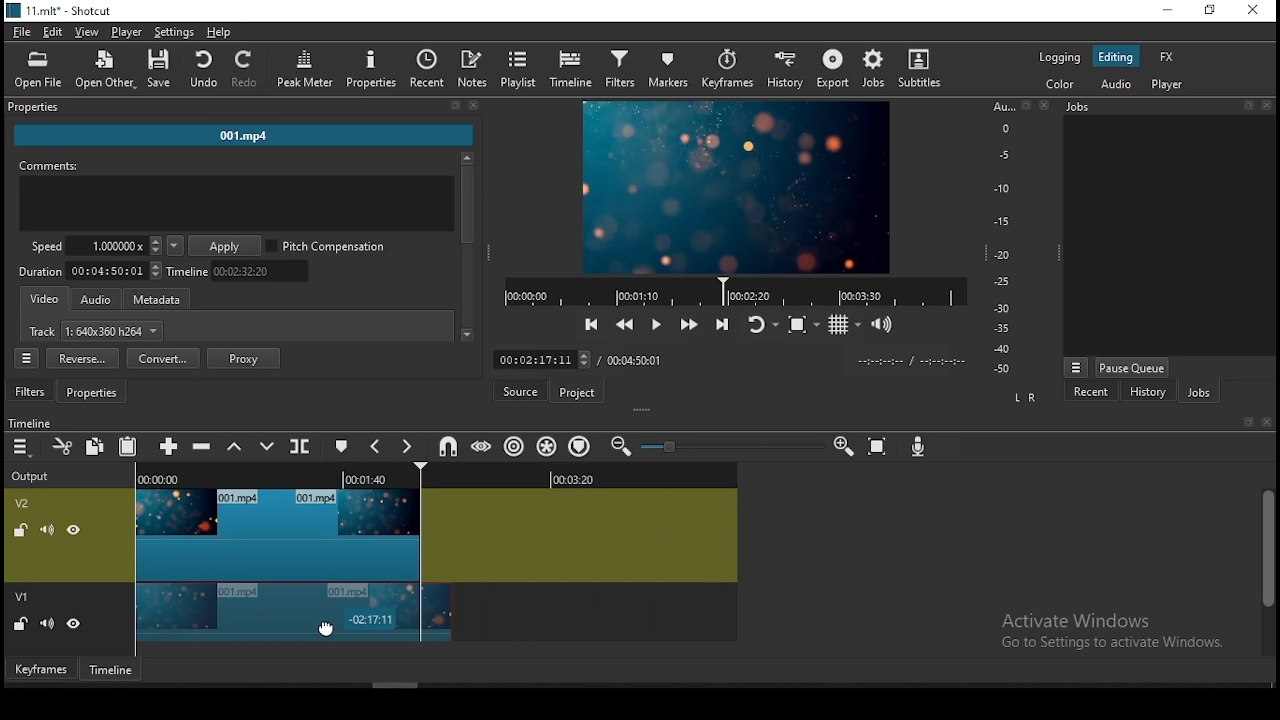 The image size is (1280, 720). What do you see at coordinates (131, 33) in the screenshot?
I see `player` at bounding box center [131, 33].